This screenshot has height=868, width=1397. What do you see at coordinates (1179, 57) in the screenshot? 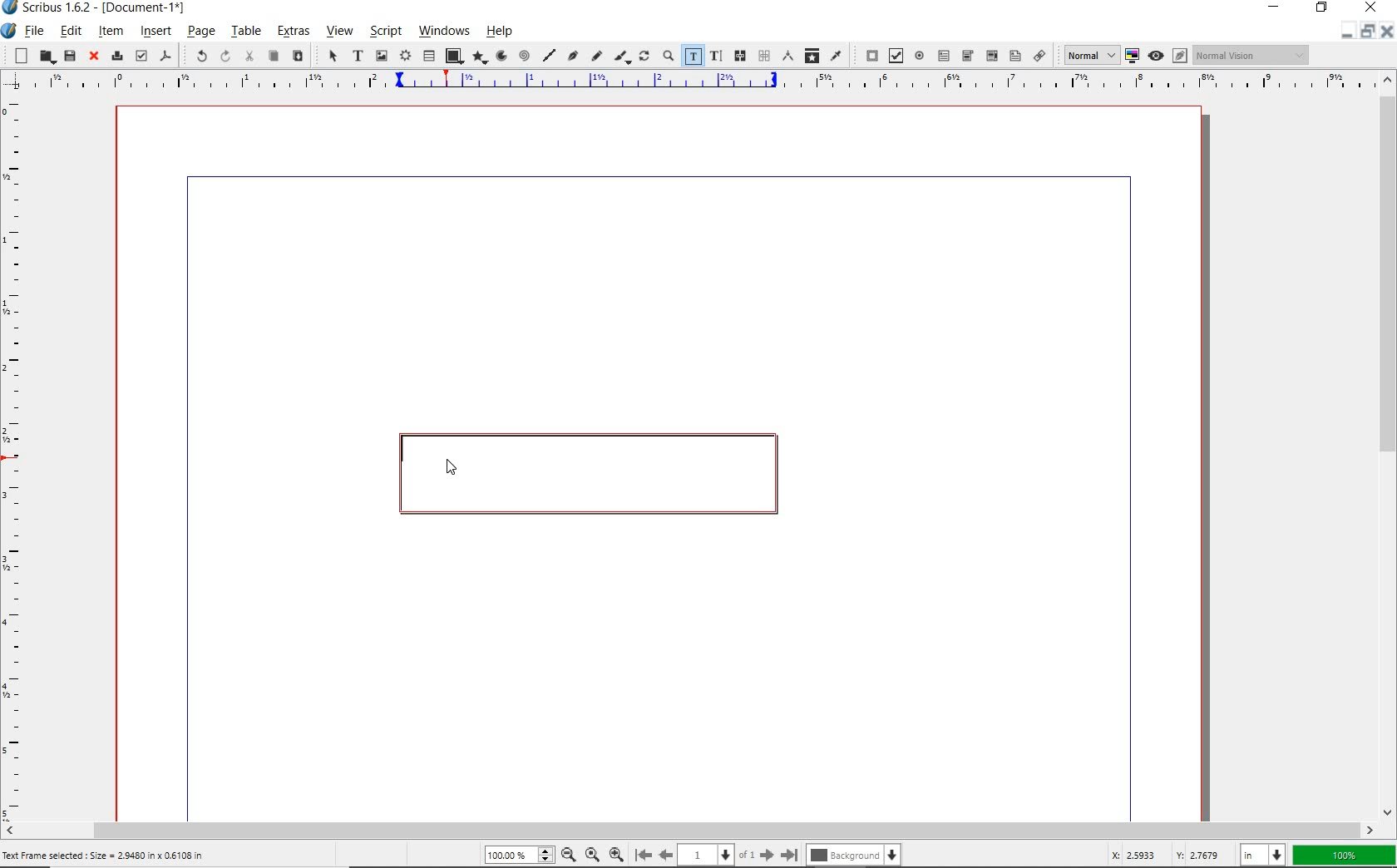
I see `Edit in preview mode` at bounding box center [1179, 57].